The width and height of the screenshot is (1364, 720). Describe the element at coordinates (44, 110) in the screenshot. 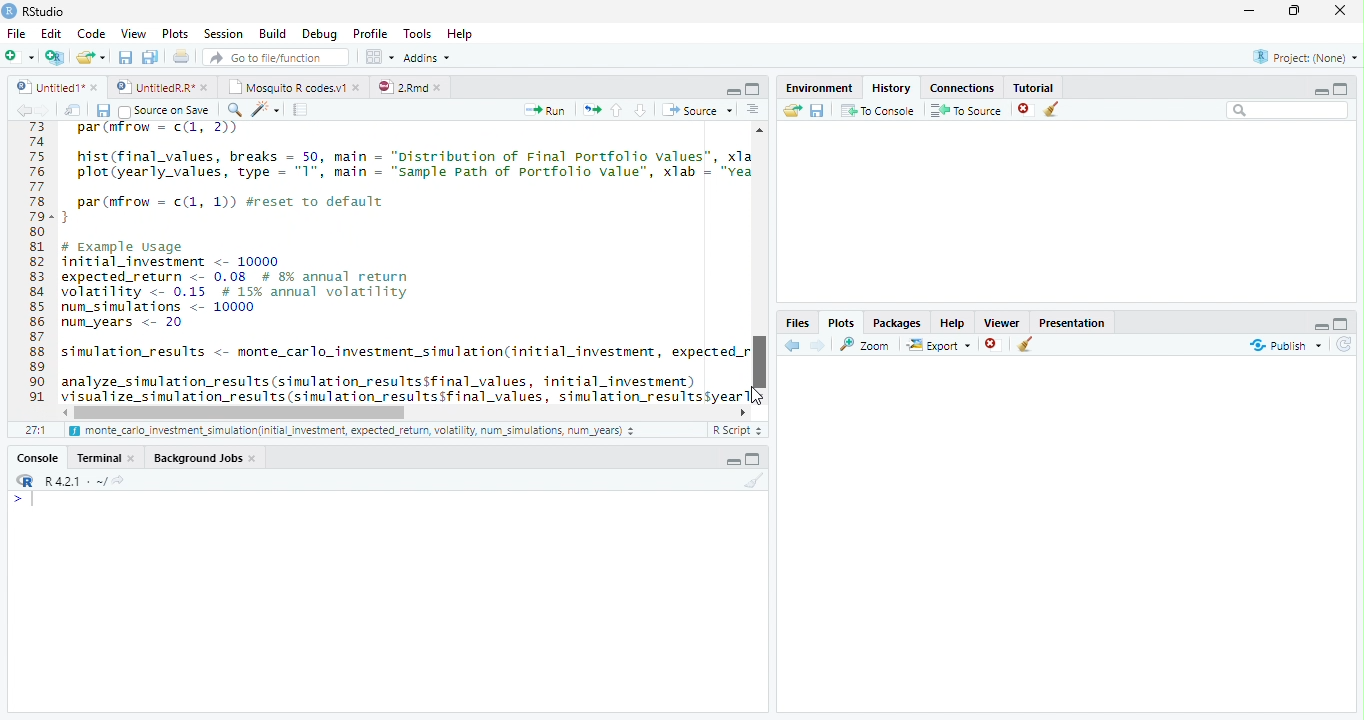

I see `next source location` at that location.